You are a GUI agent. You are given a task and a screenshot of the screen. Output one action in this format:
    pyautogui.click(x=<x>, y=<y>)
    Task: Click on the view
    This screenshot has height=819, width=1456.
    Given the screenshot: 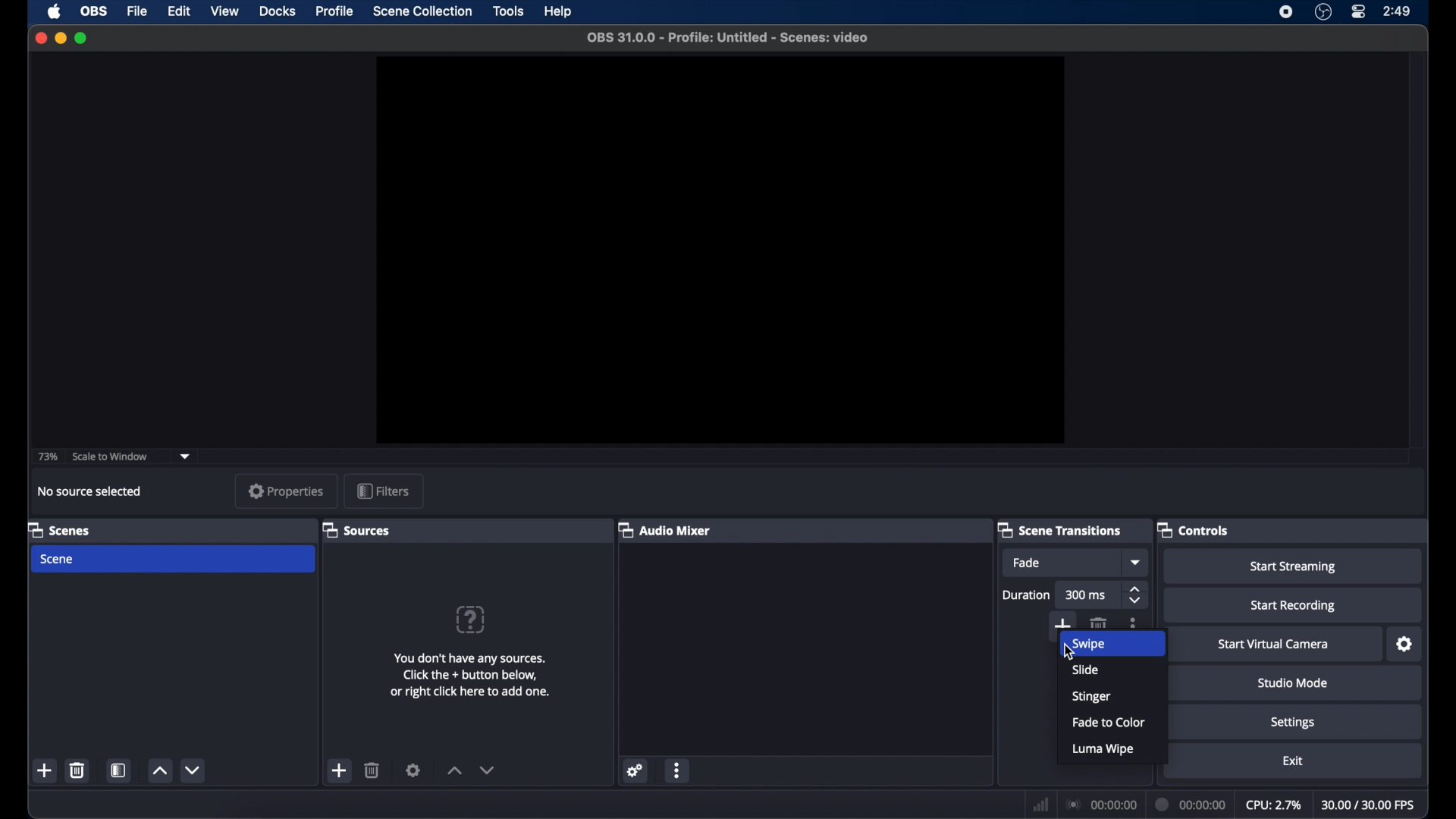 What is the action you would take?
    pyautogui.click(x=224, y=10)
    